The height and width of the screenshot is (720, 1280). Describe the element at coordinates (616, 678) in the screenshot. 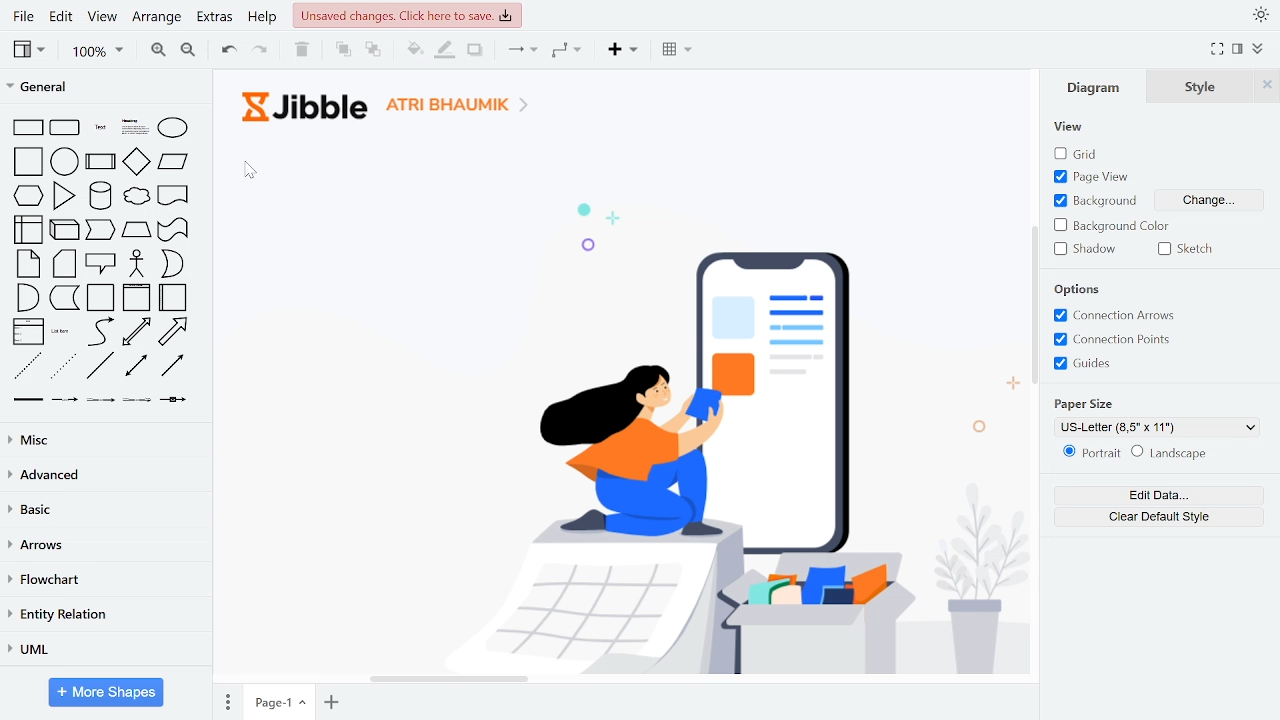

I see `horizontal scrollbar` at that location.